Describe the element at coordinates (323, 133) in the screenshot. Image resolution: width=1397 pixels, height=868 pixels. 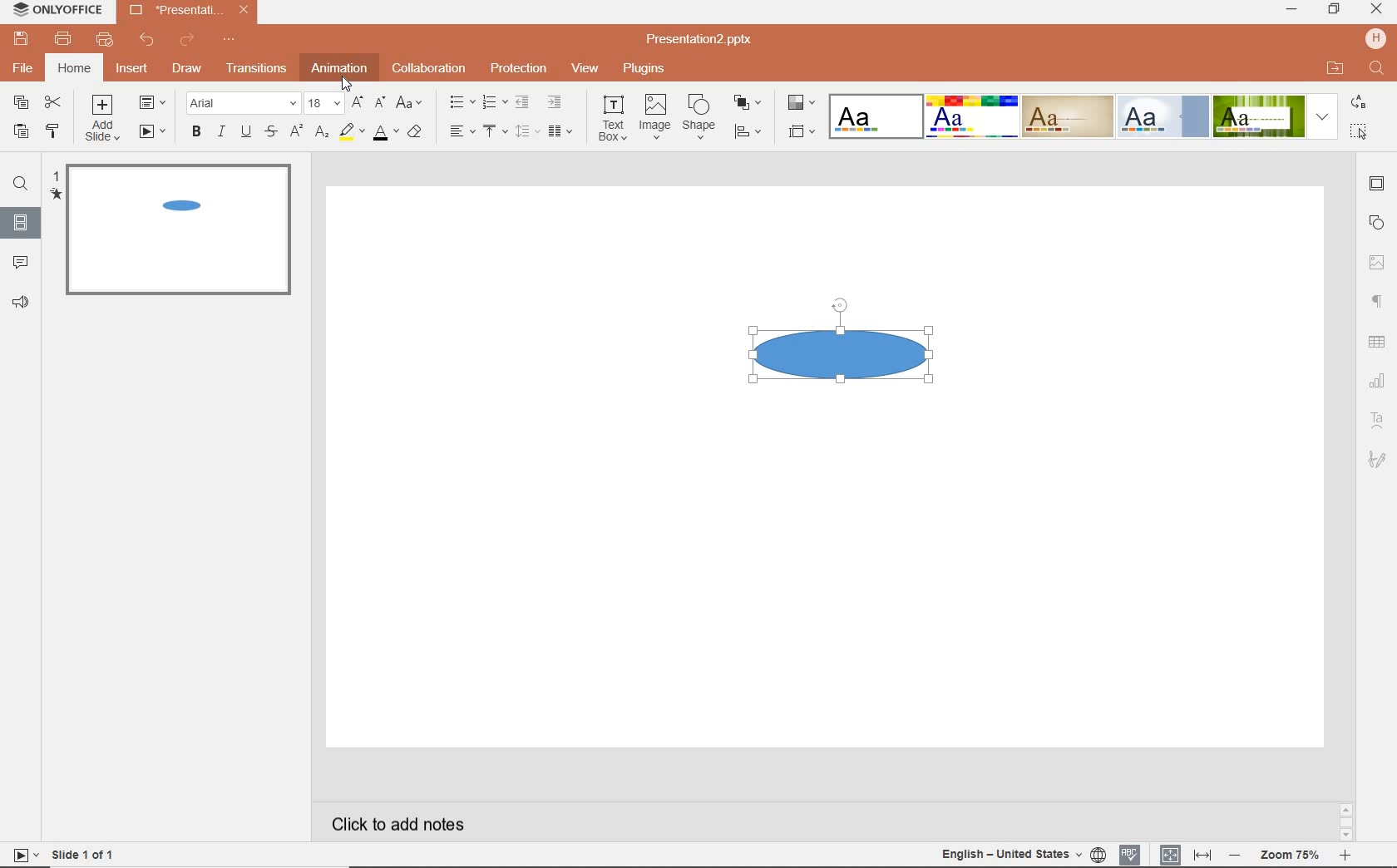
I see `SUBSCRIPT` at that location.